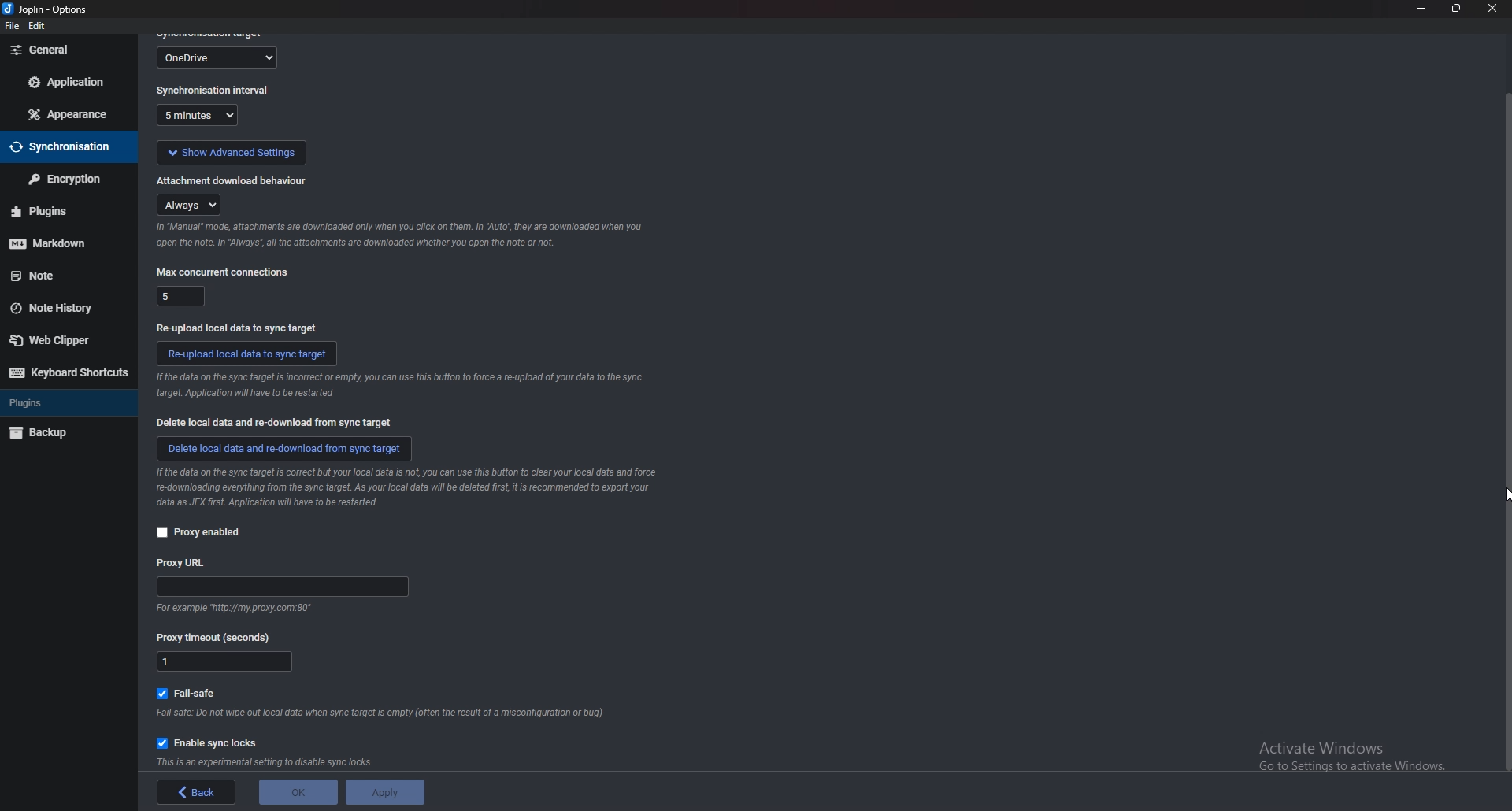  What do you see at coordinates (39, 27) in the screenshot?
I see `edit` at bounding box center [39, 27].